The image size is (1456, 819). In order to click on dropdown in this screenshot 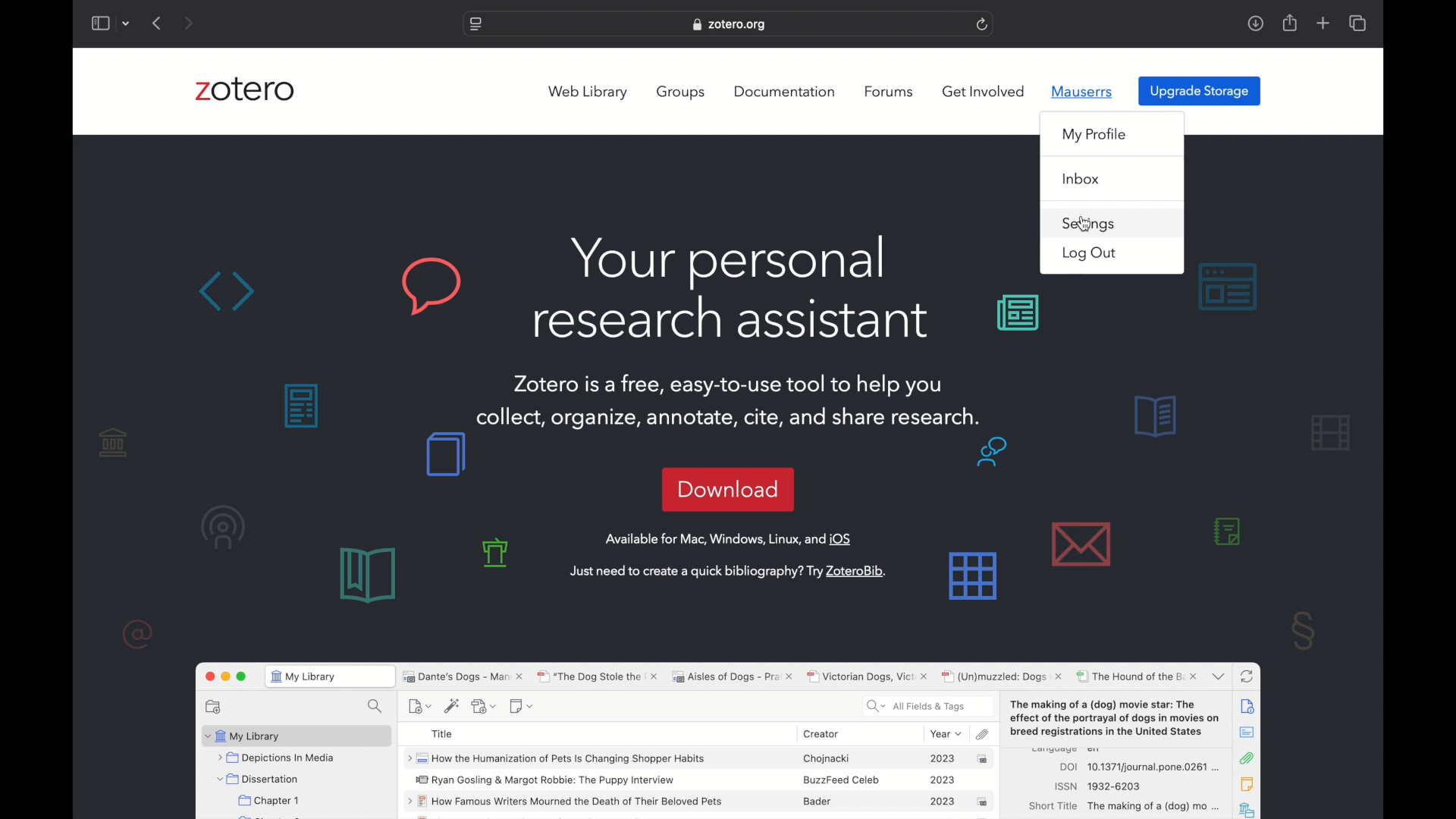, I will do `click(128, 23)`.